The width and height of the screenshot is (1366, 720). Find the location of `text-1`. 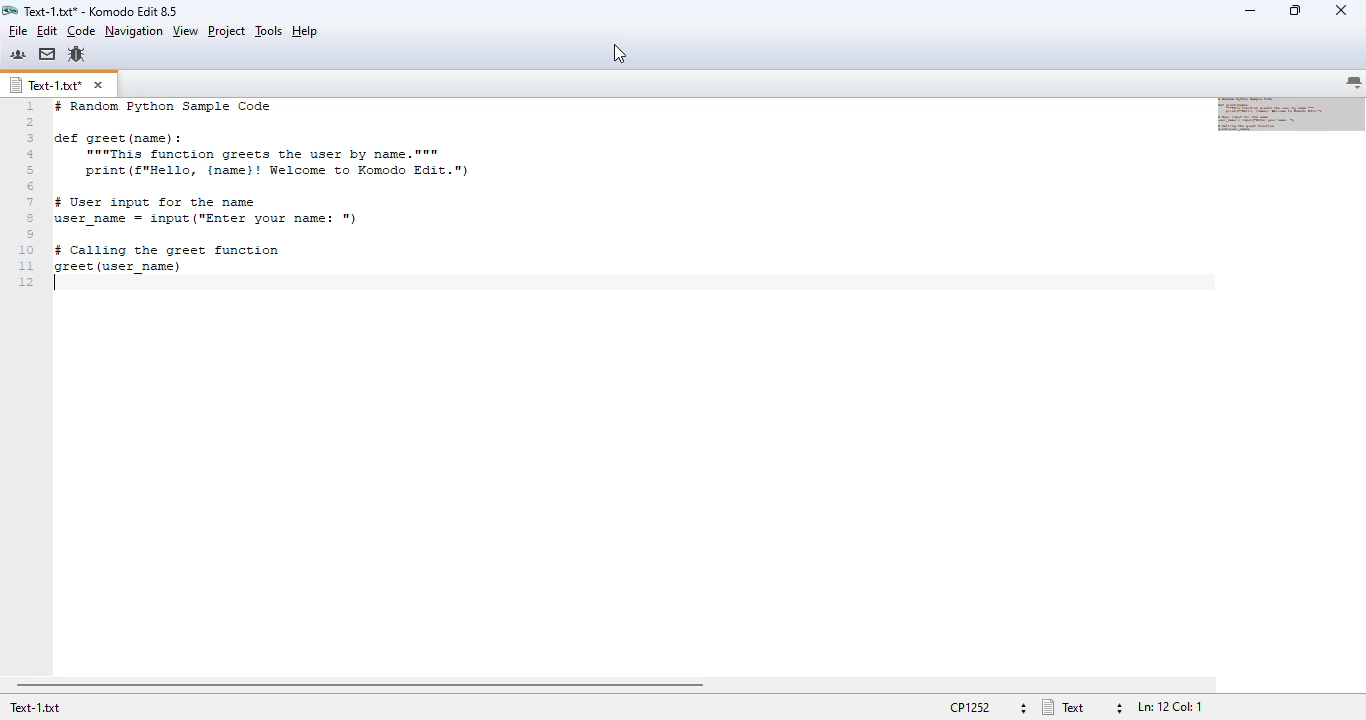

text-1 is located at coordinates (36, 708).